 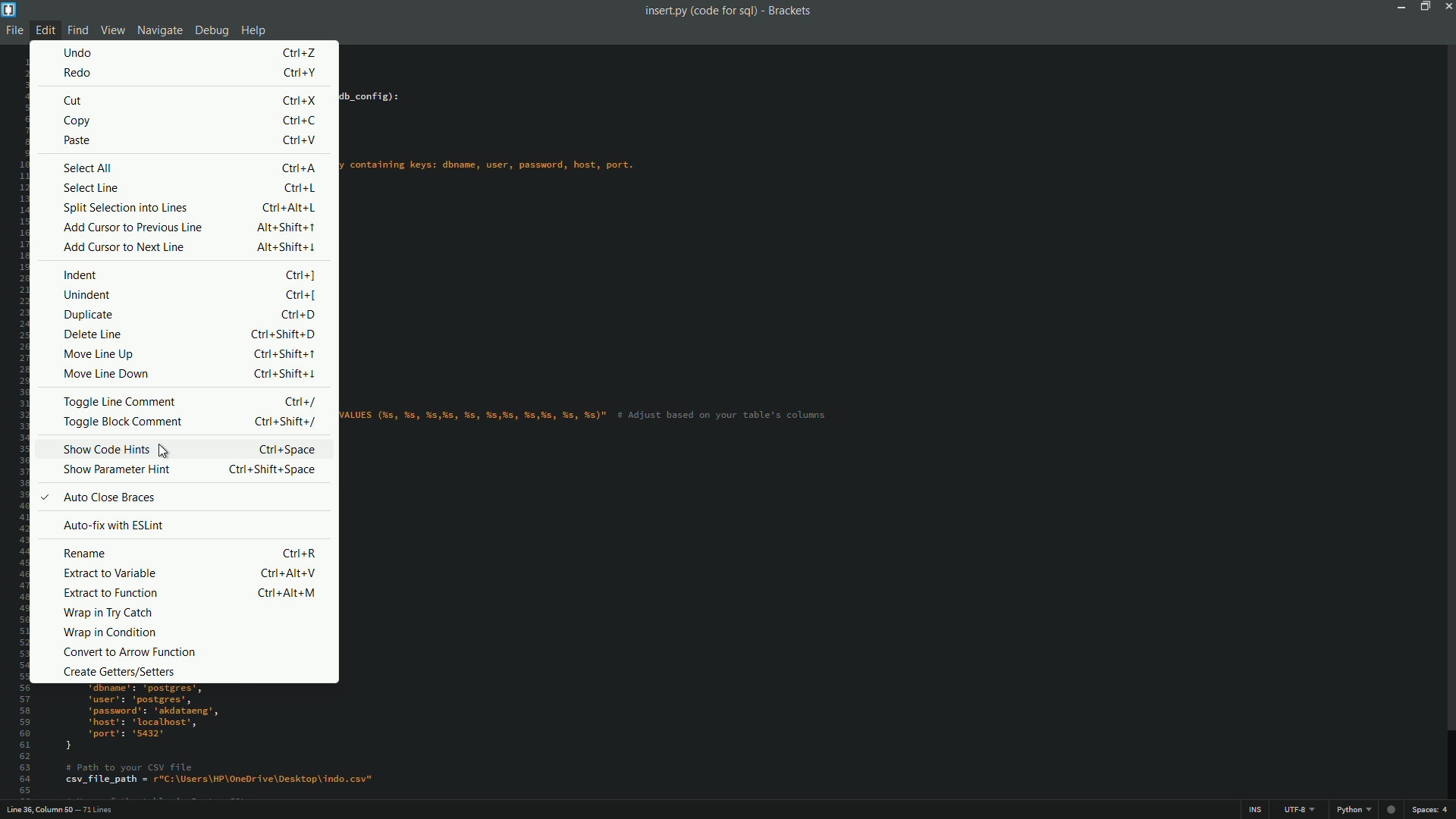 What do you see at coordinates (80, 50) in the screenshot?
I see `undo` at bounding box center [80, 50].